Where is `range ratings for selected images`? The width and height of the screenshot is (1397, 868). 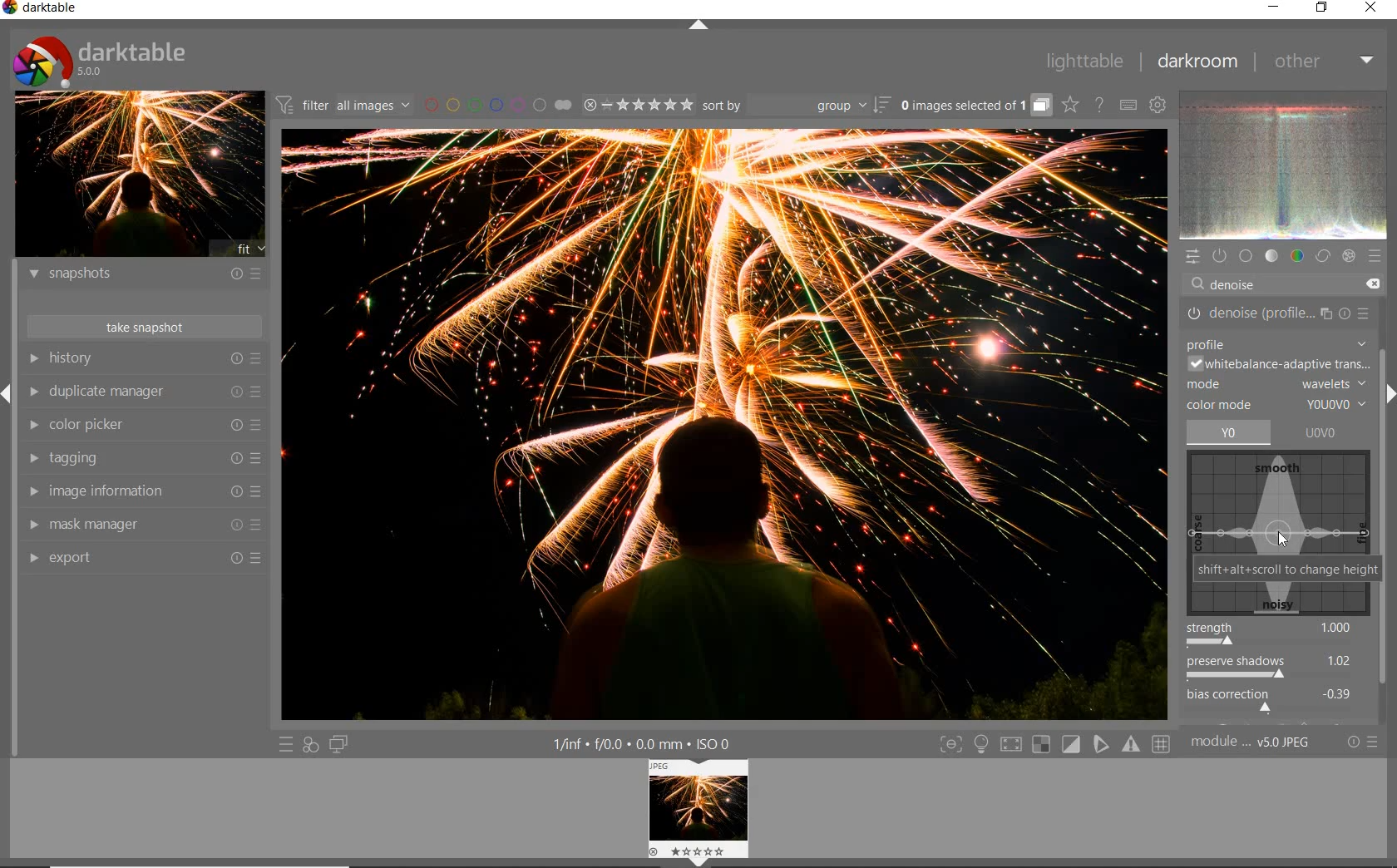
range ratings for selected images is located at coordinates (637, 106).